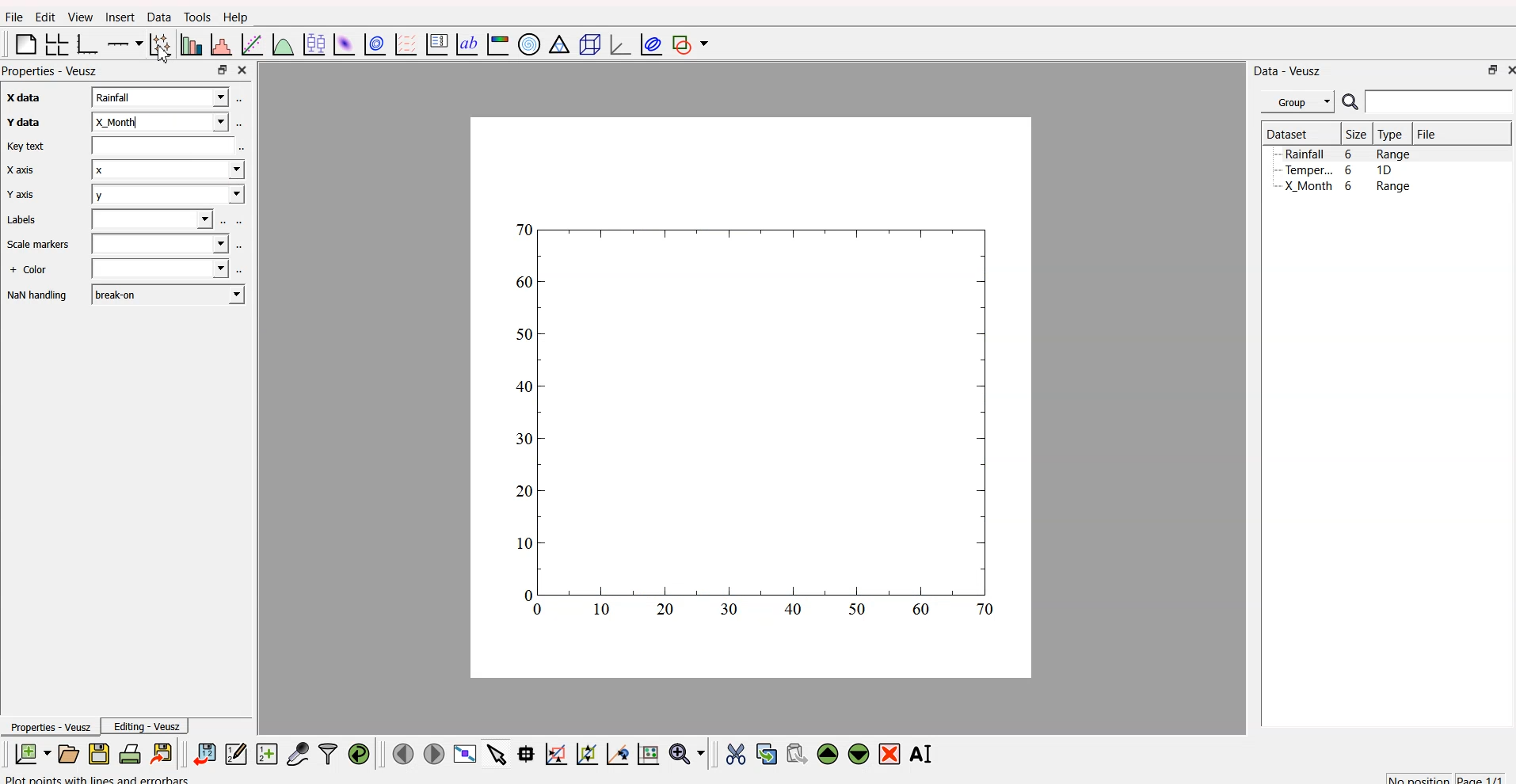  Describe the element at coordinates (693, 45) in the screenshot. I see `add shape to plot` at that location.